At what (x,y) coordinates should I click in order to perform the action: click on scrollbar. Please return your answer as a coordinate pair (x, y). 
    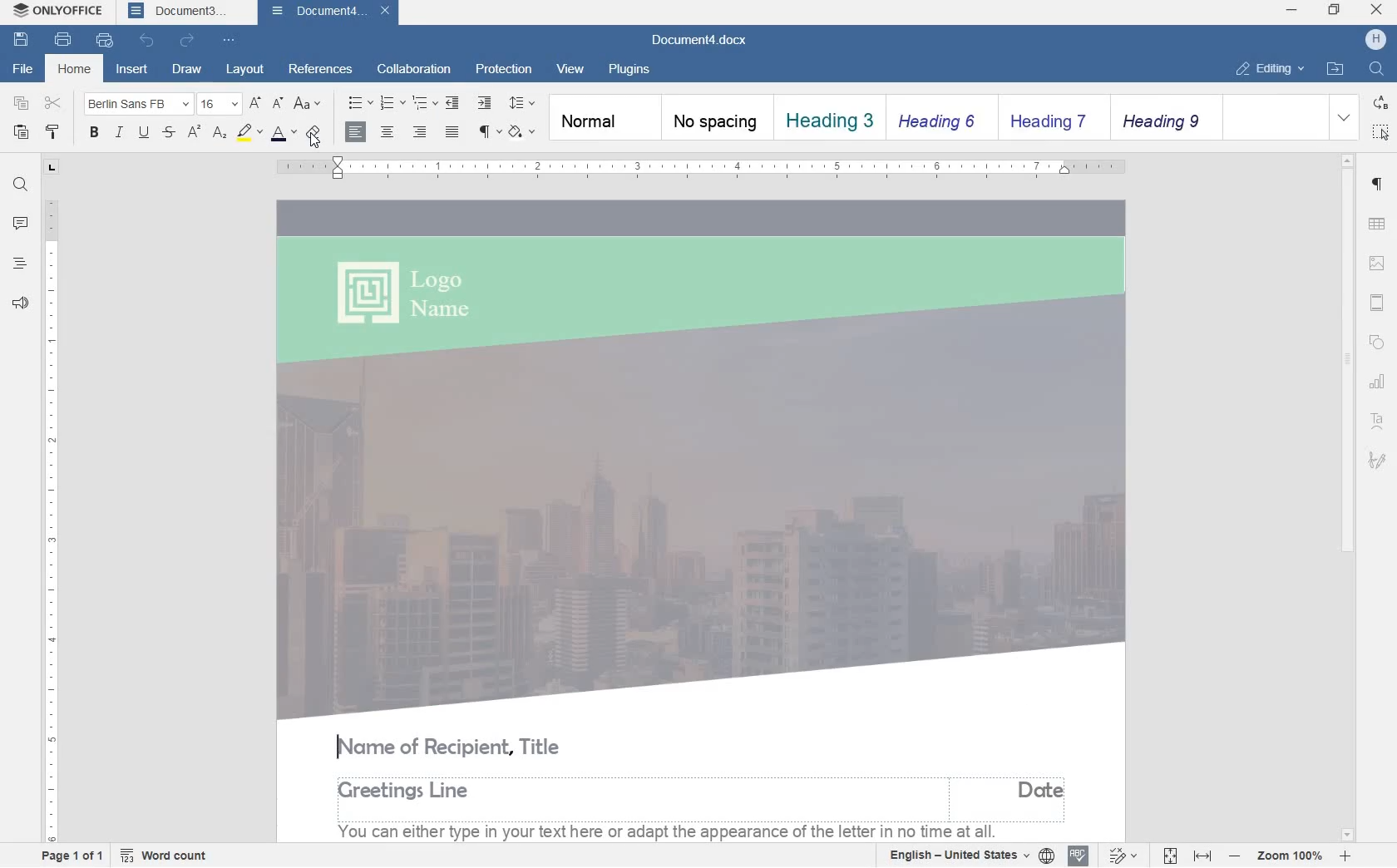
    Looking at the image, I should click on (1348, 498).